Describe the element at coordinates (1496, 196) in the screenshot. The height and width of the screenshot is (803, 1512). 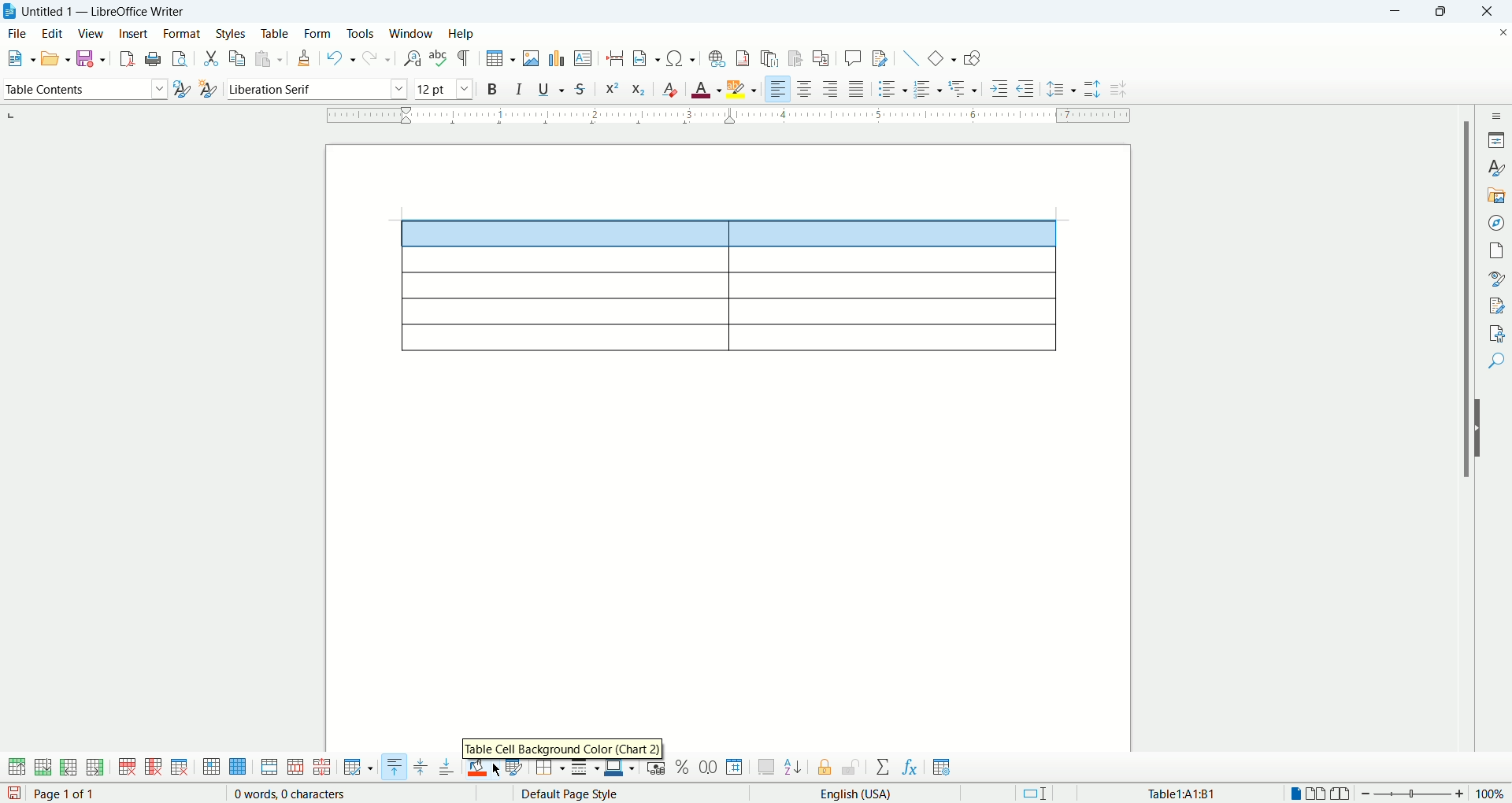
I see `gallery` at that location.